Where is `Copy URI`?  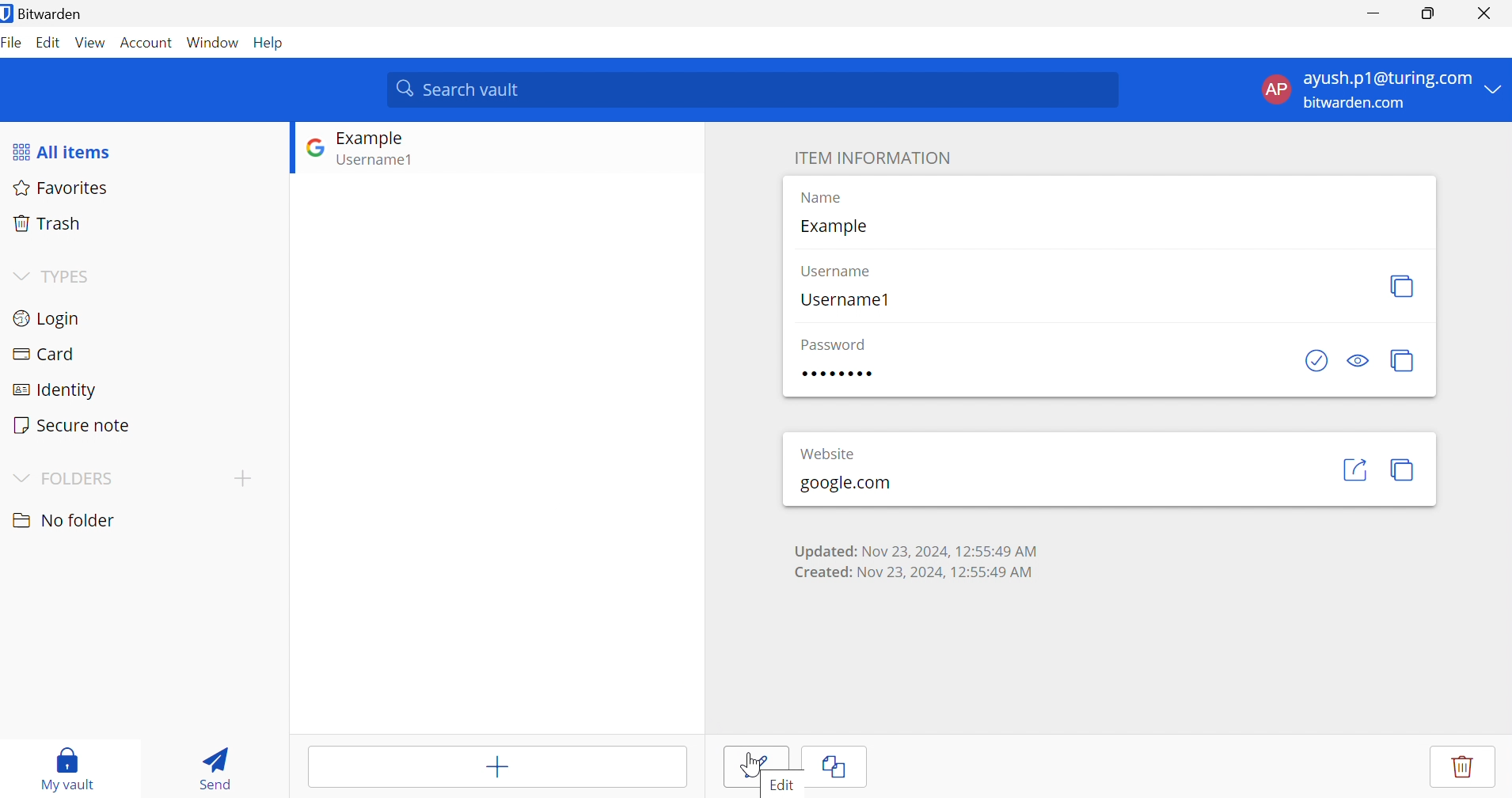 Copy URI is located at coordinates (1406, 471).